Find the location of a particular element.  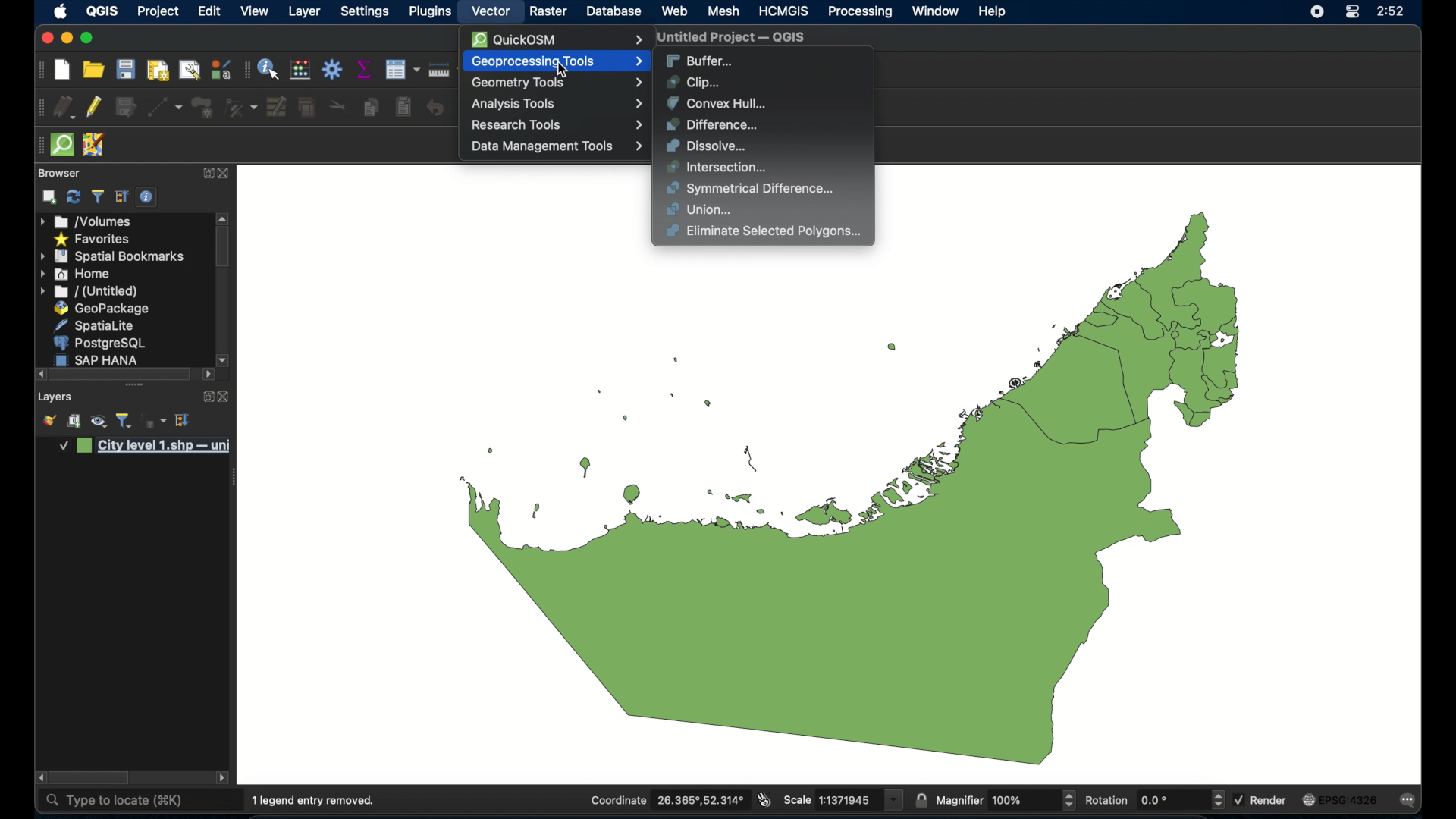

add group is located at coordinates (74, 422).